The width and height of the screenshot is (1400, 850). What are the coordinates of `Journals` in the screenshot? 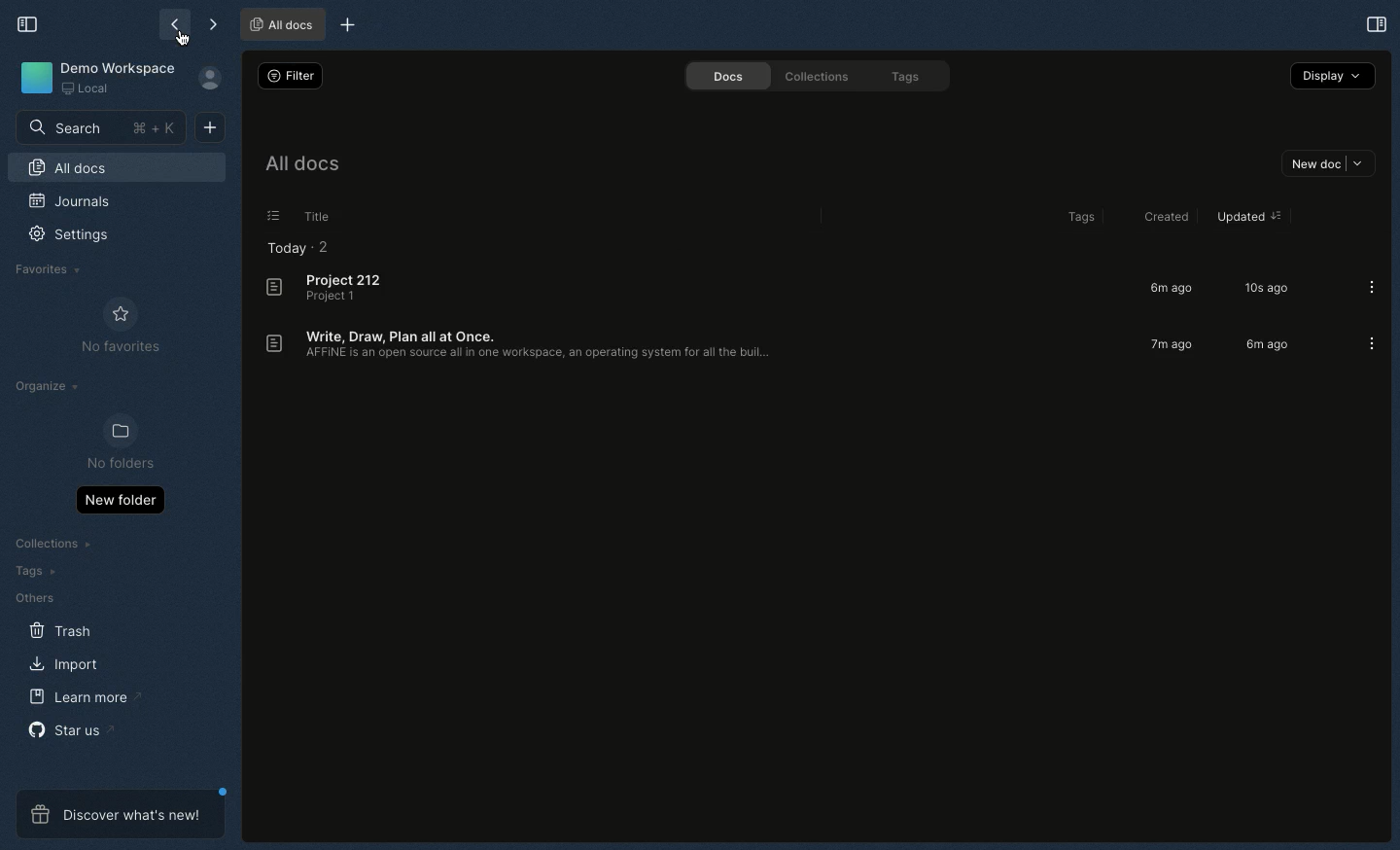 It's located at (69, 201).